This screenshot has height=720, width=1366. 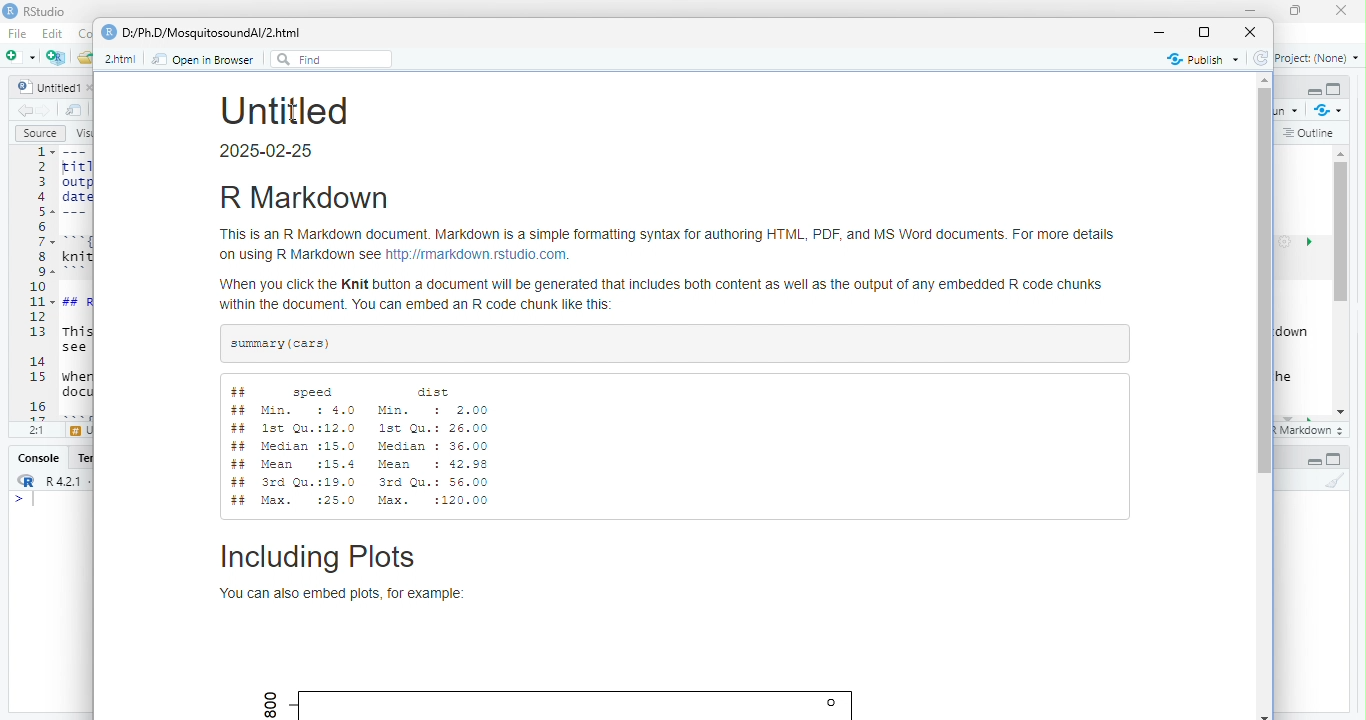 I want to click on scroll up, so click(x=1343, y=153).